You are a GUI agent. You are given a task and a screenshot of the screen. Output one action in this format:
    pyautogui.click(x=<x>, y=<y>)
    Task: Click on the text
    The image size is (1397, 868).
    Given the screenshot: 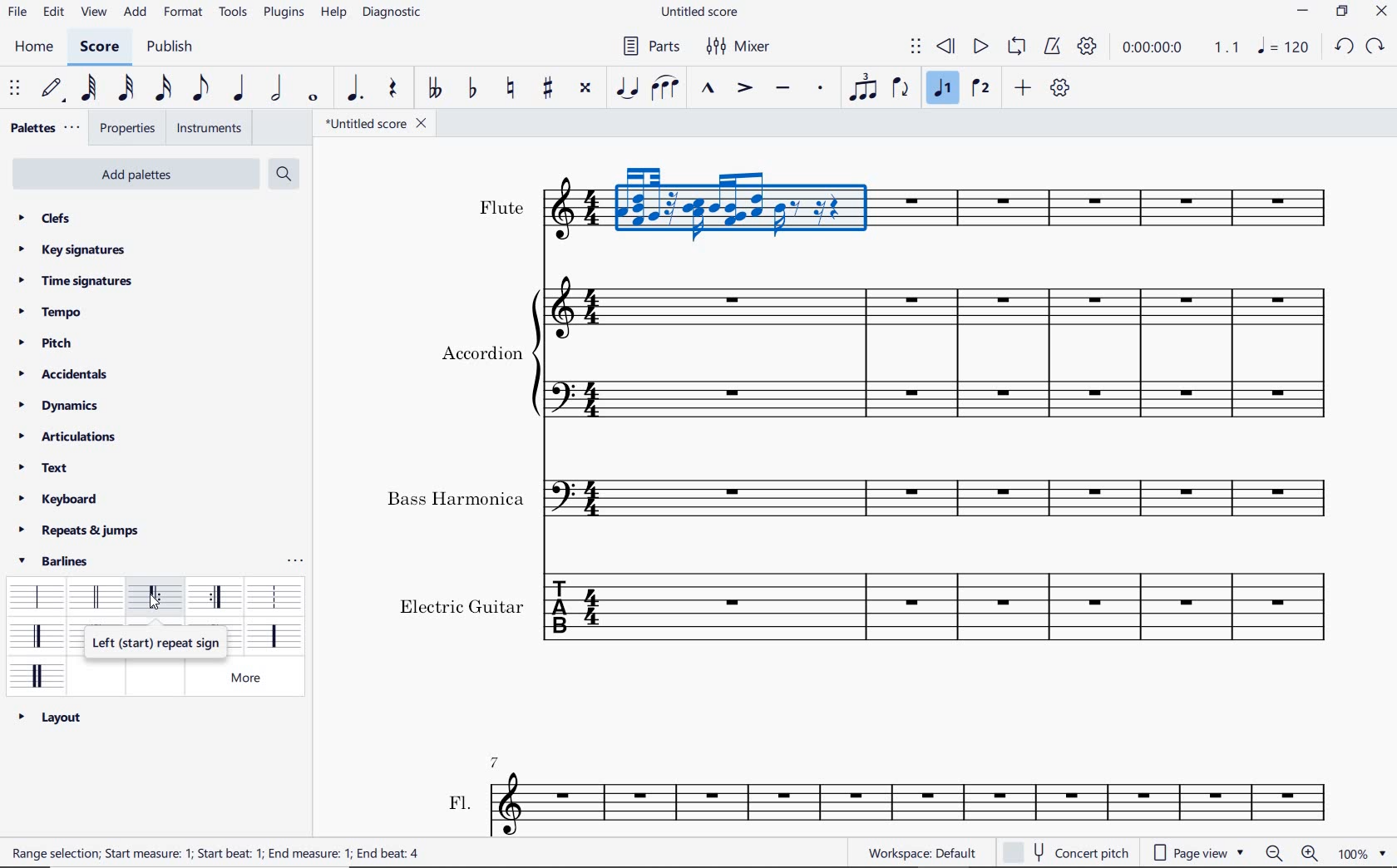 What is the action you would take?
    pyautogui.click(x=501, y=207)
    